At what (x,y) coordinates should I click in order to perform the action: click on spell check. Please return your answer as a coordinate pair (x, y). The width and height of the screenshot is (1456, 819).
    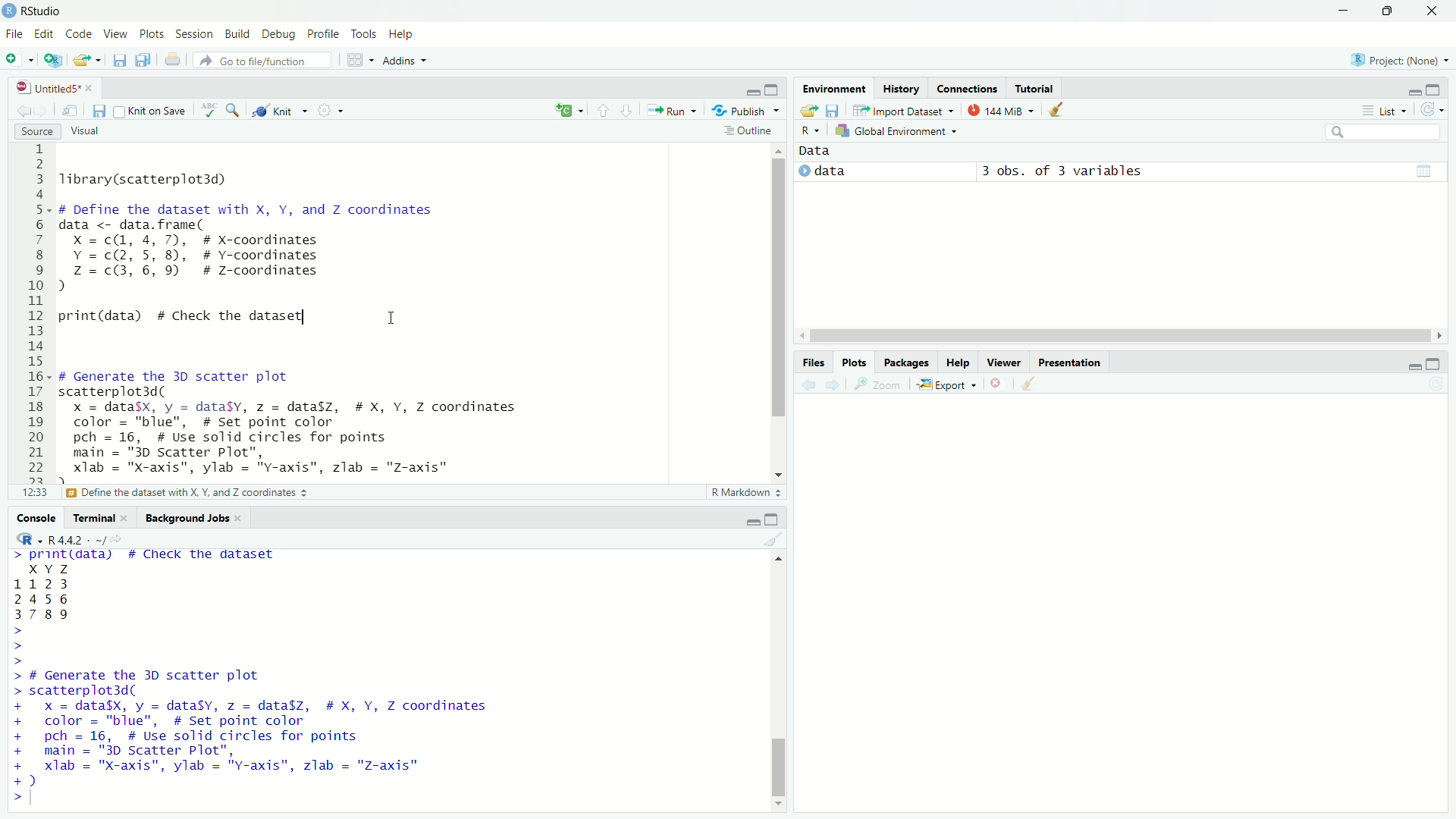
    Looking at the image, I should click on (208, 111).